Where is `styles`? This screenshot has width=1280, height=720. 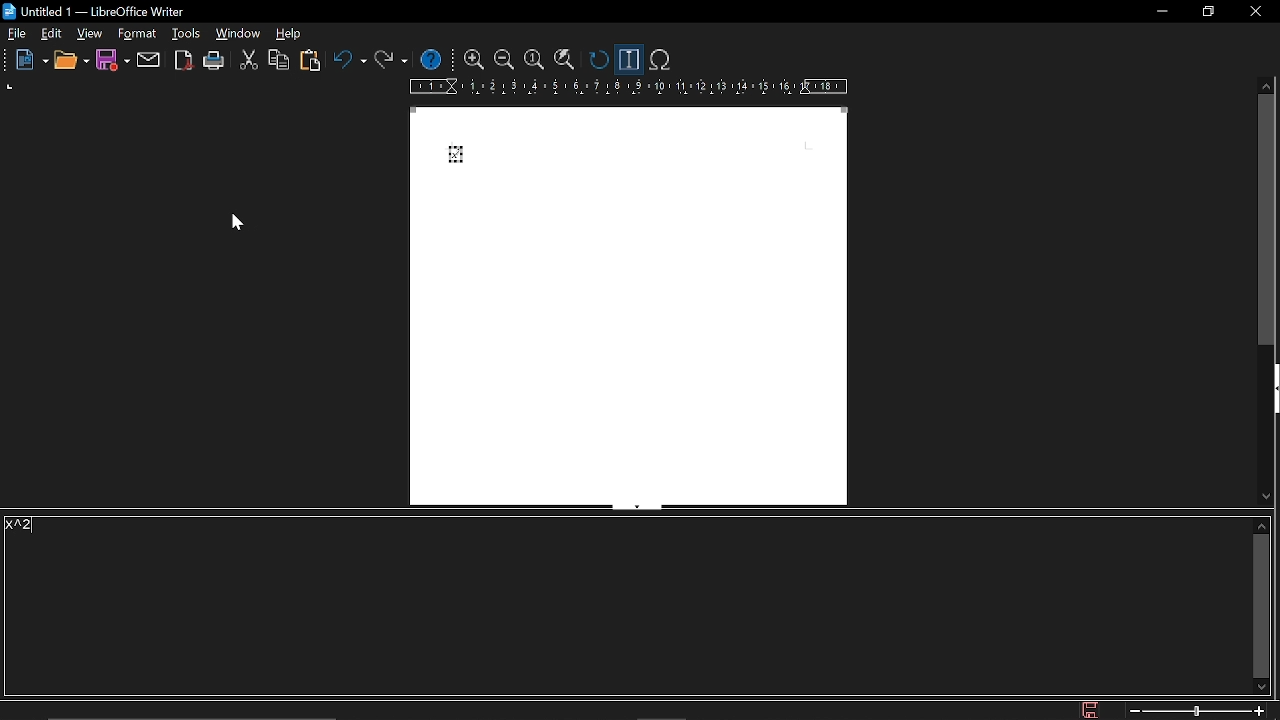 styles is located at coordinates (237, 34).